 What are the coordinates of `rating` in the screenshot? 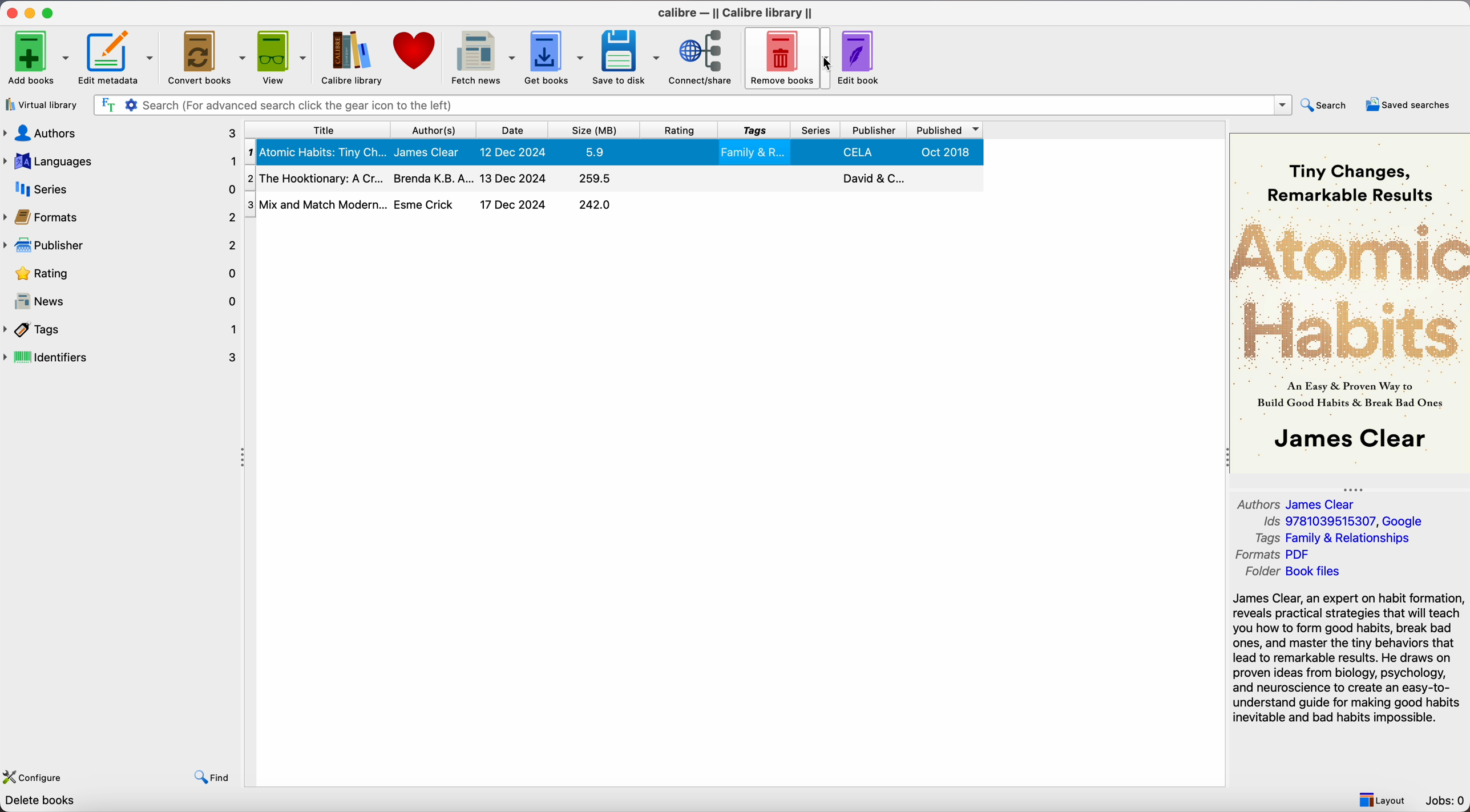 It's located at (122, 274).